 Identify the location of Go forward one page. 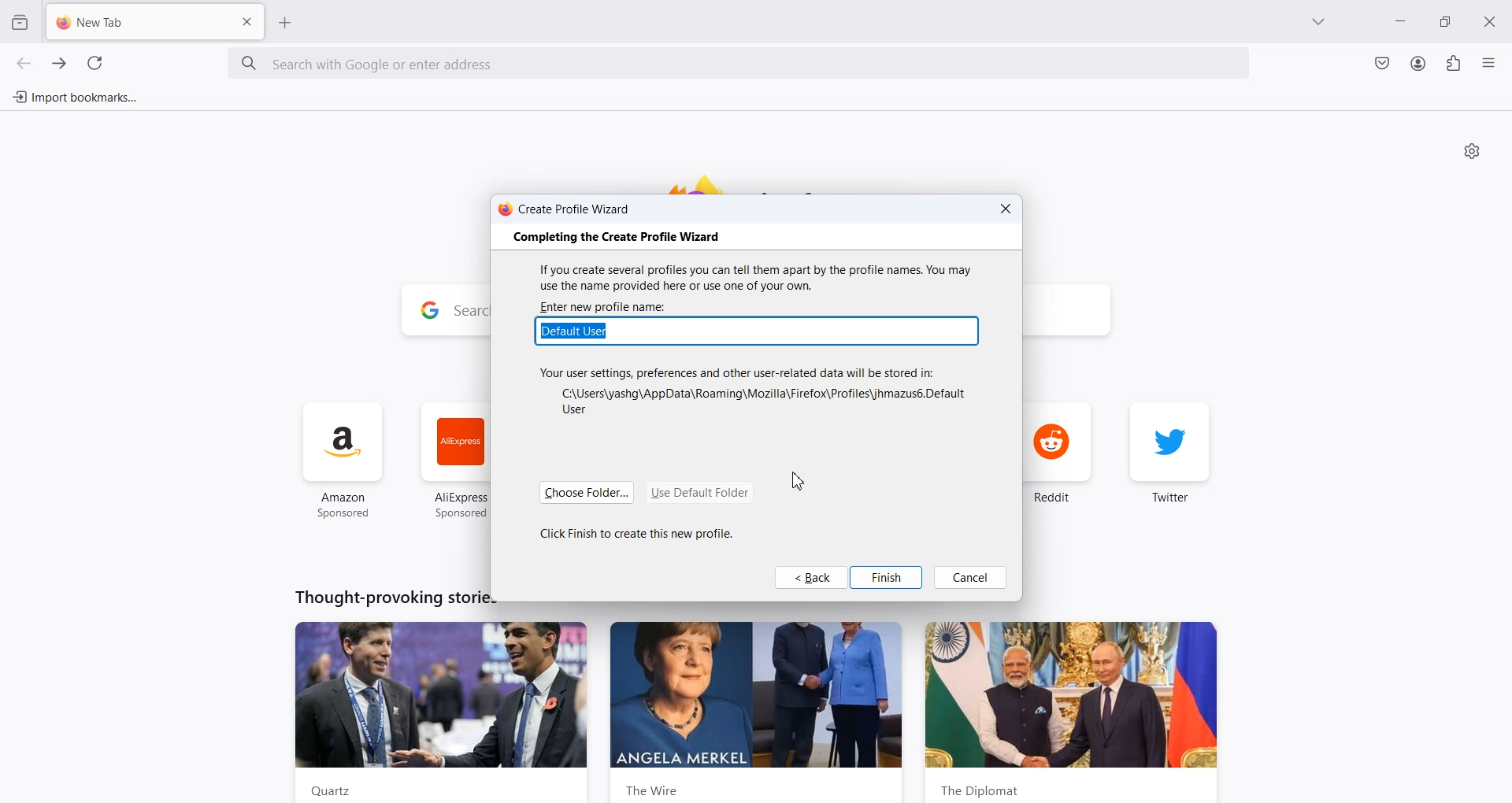
(57, 63).